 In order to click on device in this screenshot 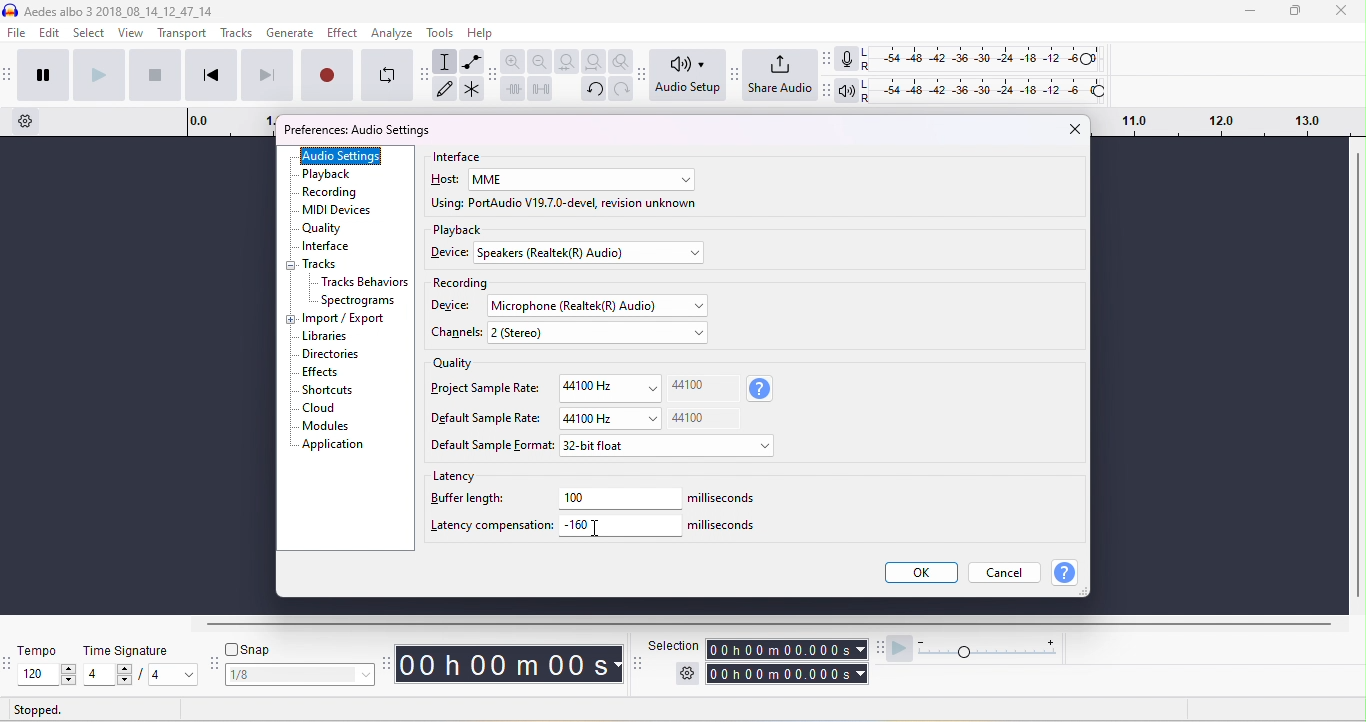, I will do `click(449, 252)`.